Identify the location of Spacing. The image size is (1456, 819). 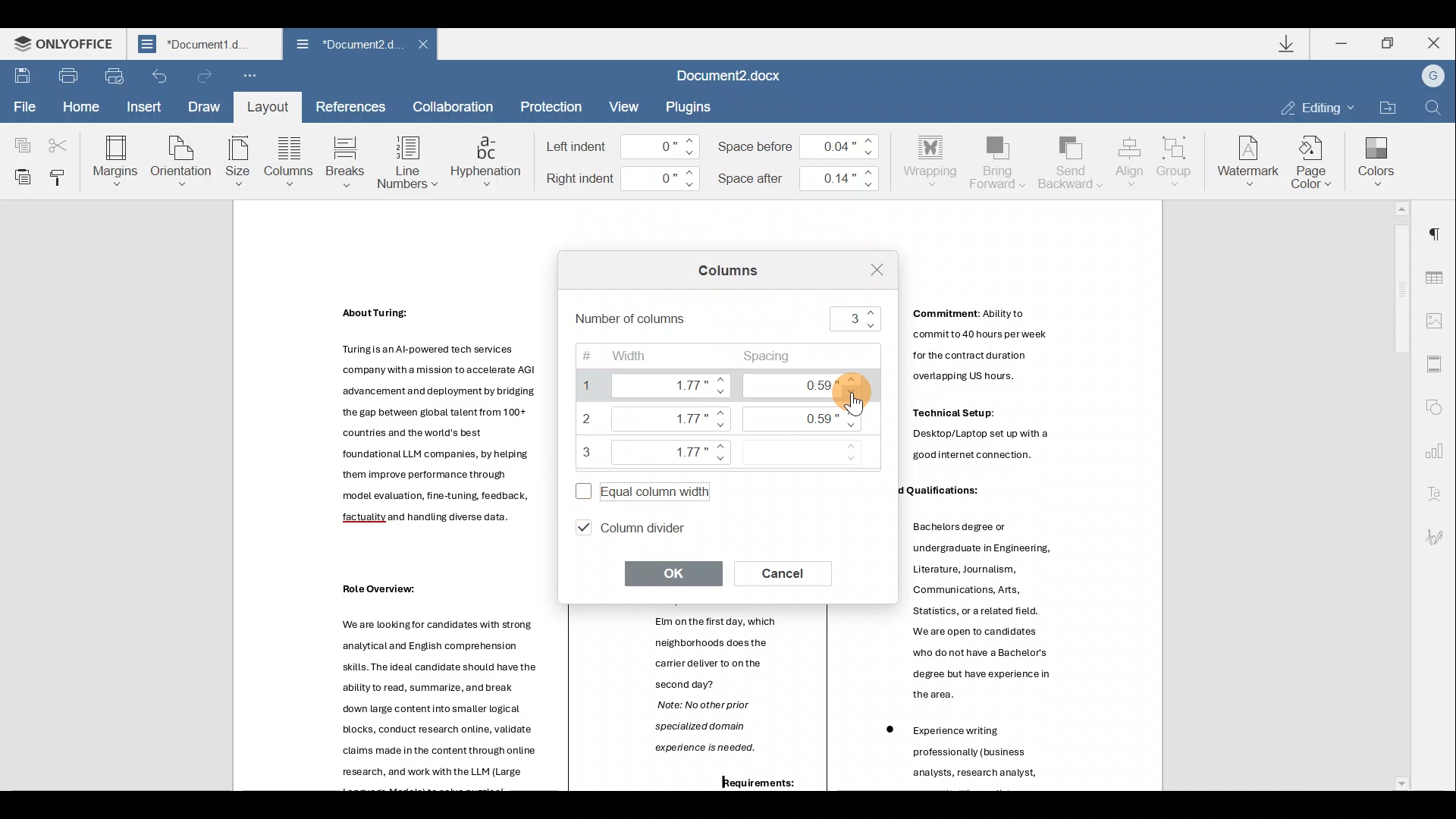
(811, 413).